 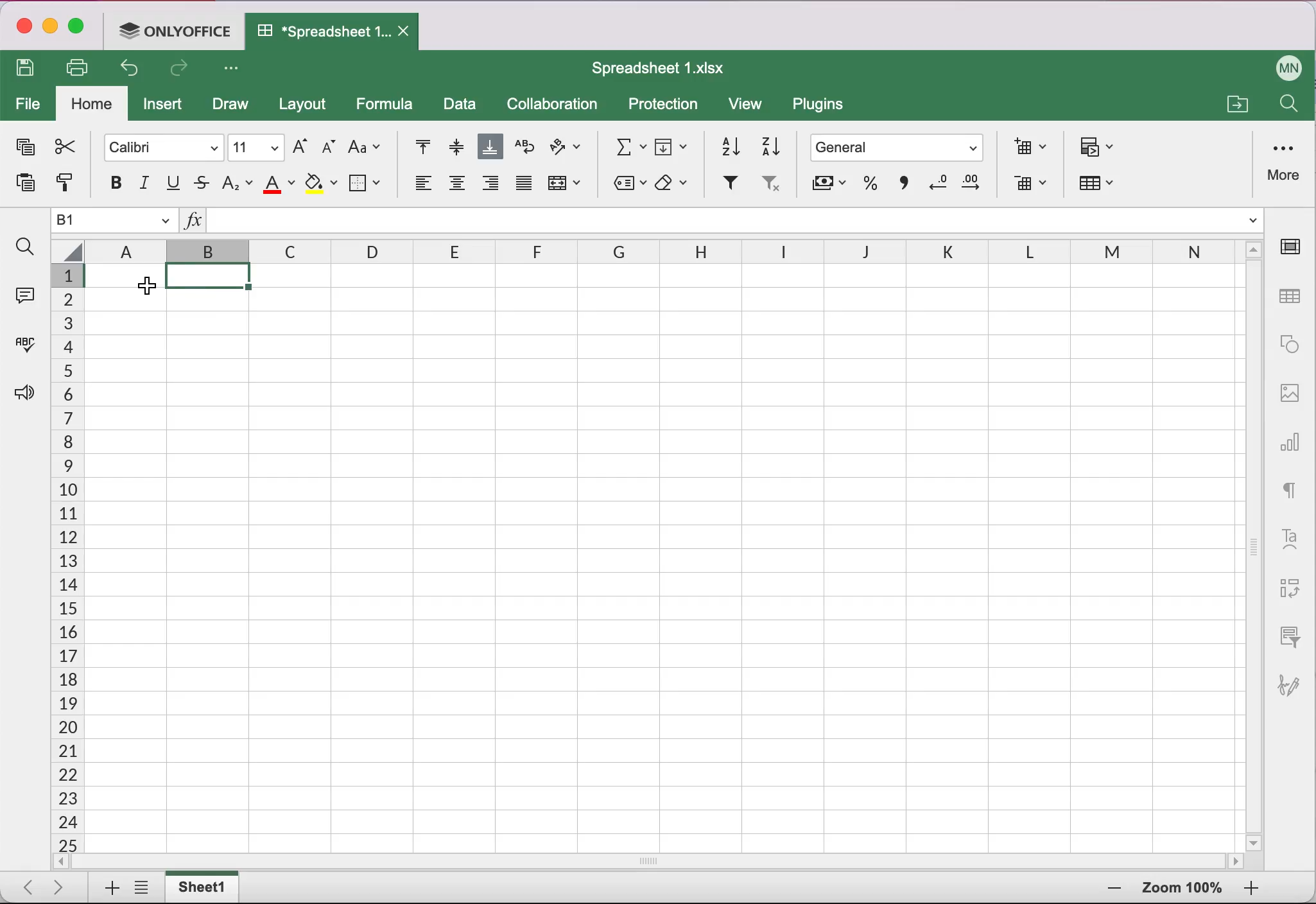 I want to click on Close, so click(x=406, y=32).